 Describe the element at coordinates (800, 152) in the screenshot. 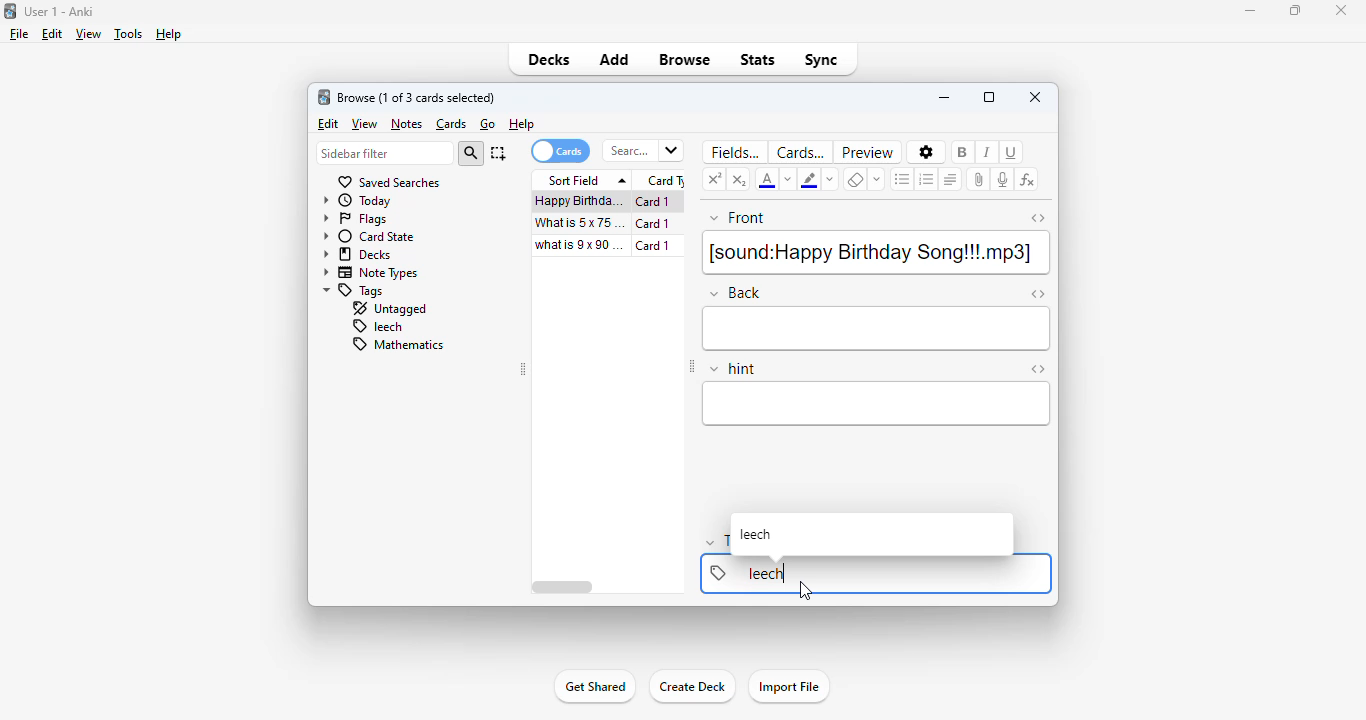

I see `cards` at that location.